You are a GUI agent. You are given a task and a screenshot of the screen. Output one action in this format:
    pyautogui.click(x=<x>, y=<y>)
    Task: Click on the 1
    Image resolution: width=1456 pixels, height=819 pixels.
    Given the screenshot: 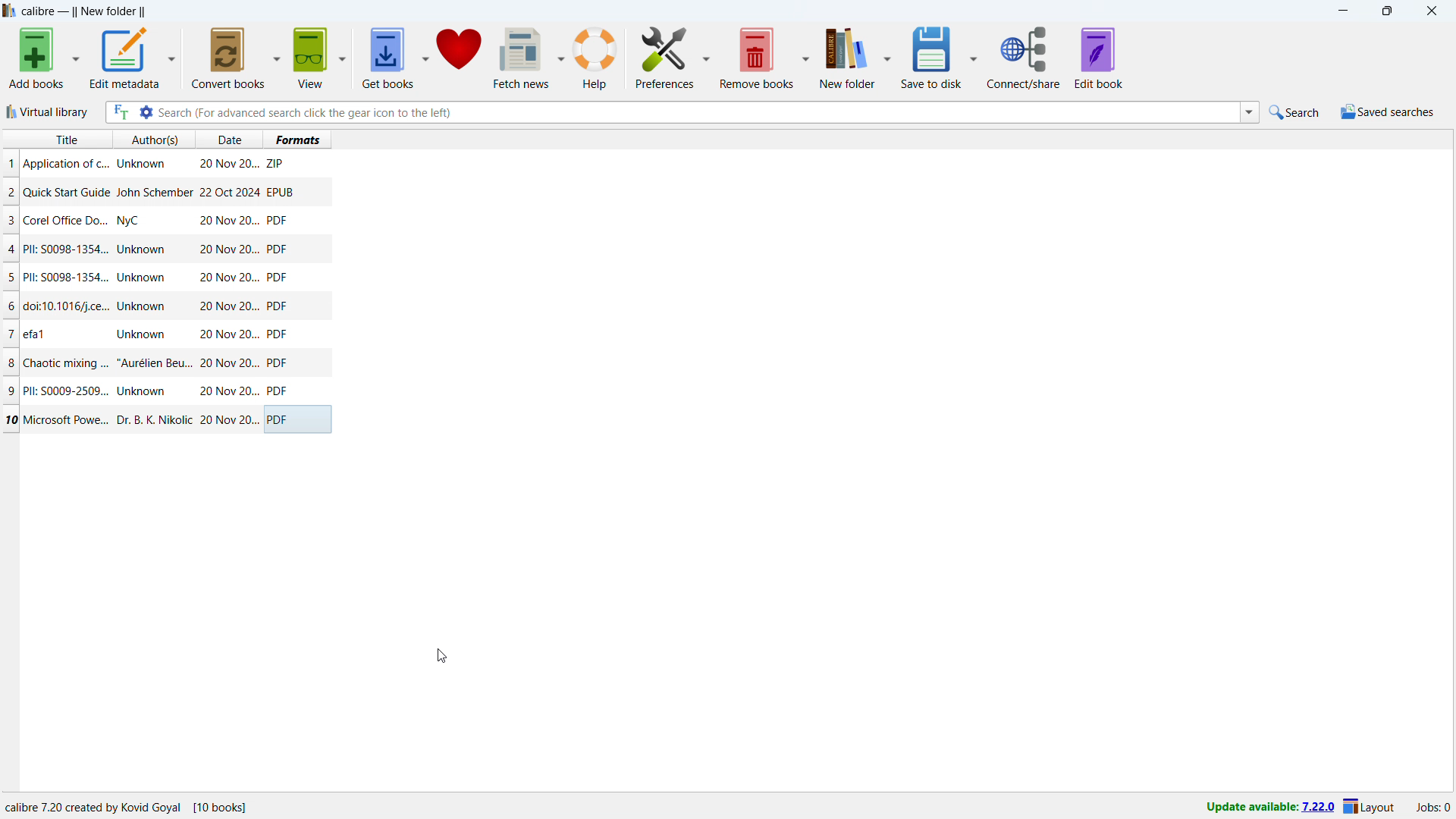 What is the action you would take?
    pyautogui.click(x=11, y=164)
    